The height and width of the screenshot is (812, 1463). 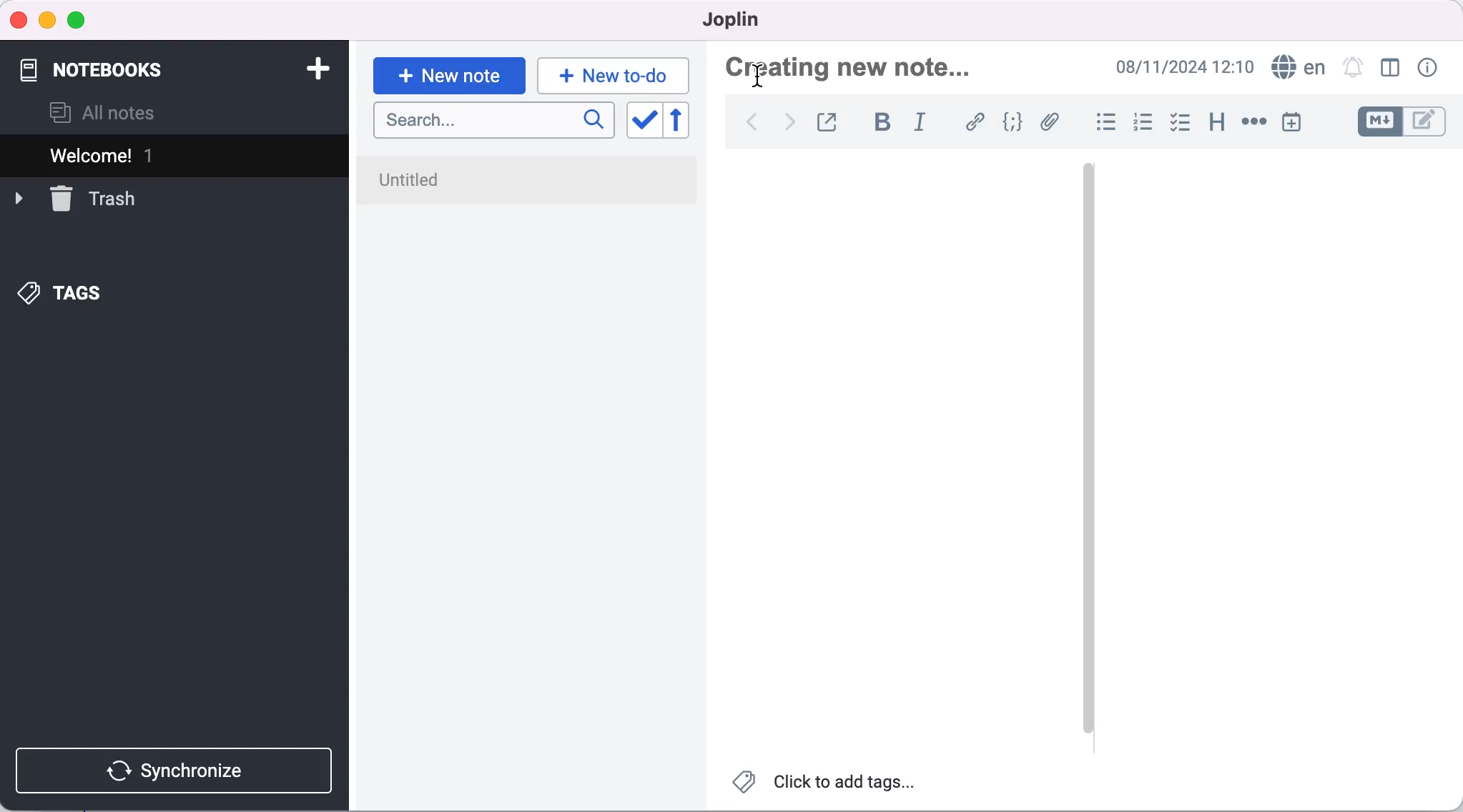 What do you see at coordinates (1181, 124) in the screenshot?
I see `checkbox` at bounding box center [1181, 124].